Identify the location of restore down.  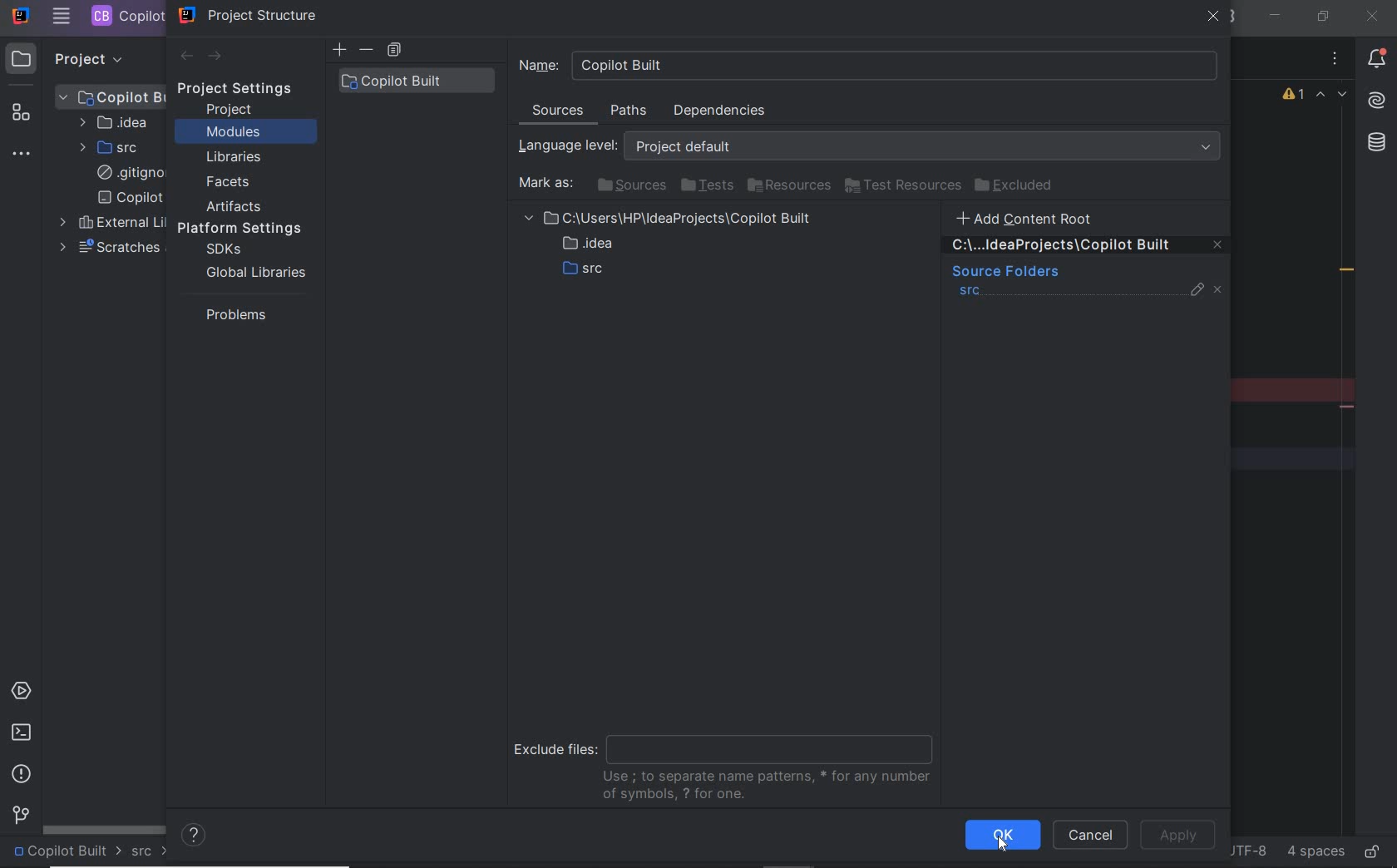
(1321, 16).